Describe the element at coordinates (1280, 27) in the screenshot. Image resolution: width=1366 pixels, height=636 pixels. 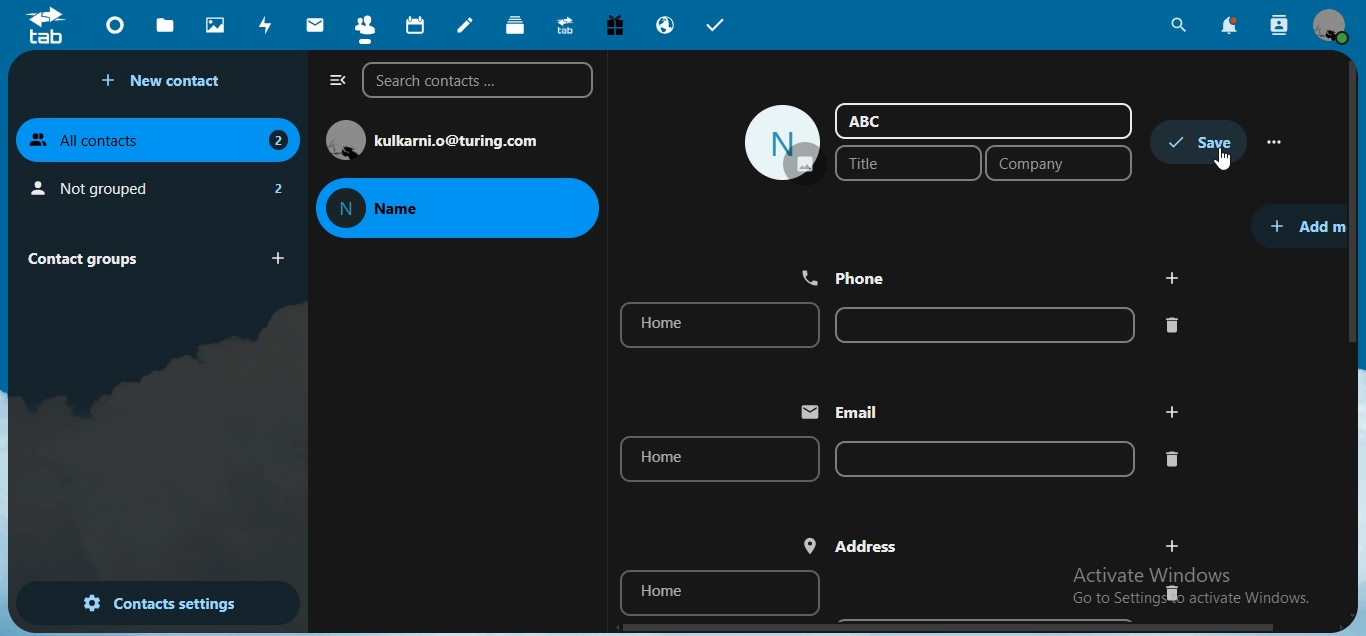
I see `search contacts` at that location.